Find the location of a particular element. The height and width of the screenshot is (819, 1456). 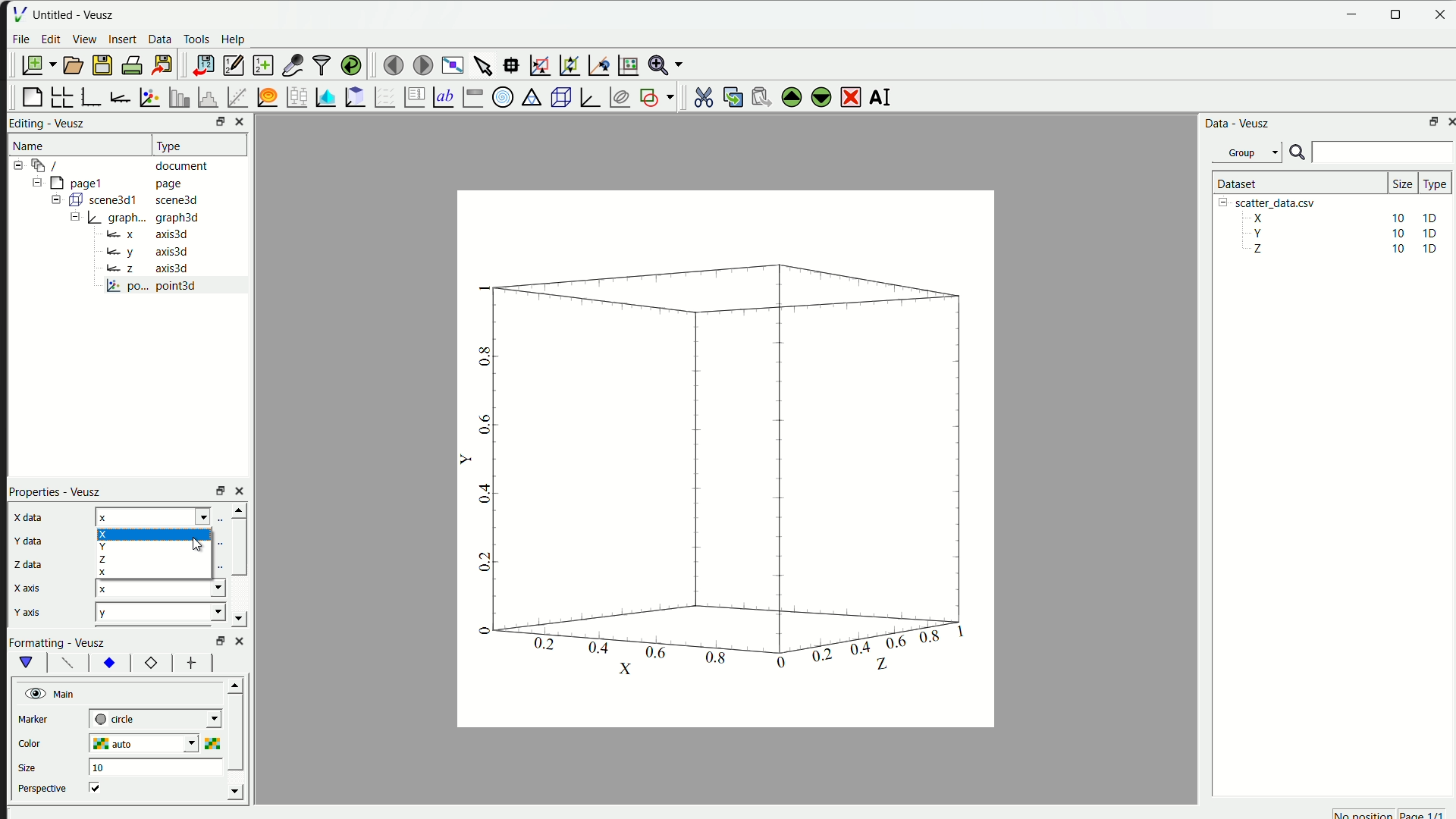

Properties - Veusz is located at coordinates (55, 491).